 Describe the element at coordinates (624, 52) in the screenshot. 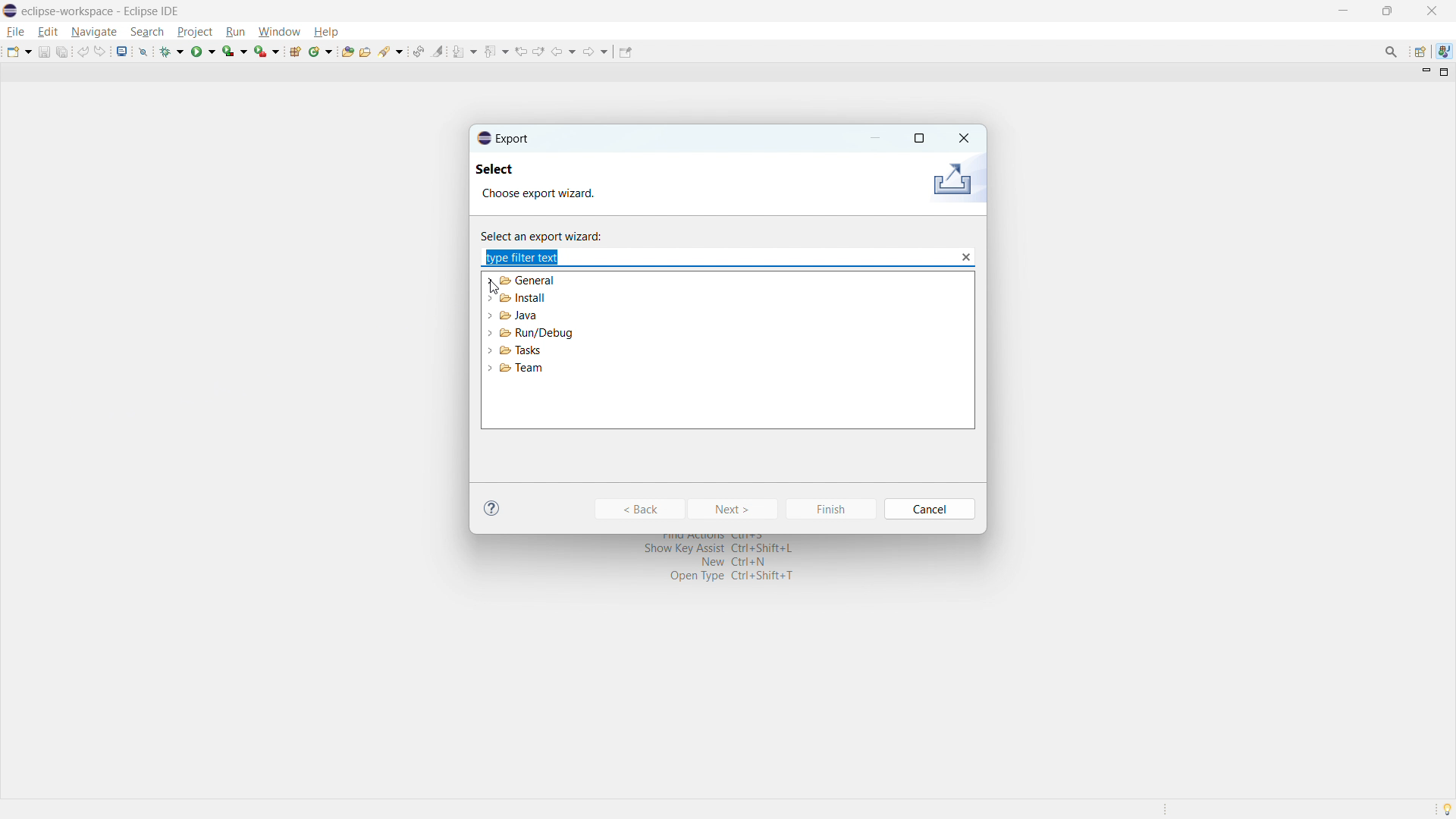

I see `pin editor` at that location.